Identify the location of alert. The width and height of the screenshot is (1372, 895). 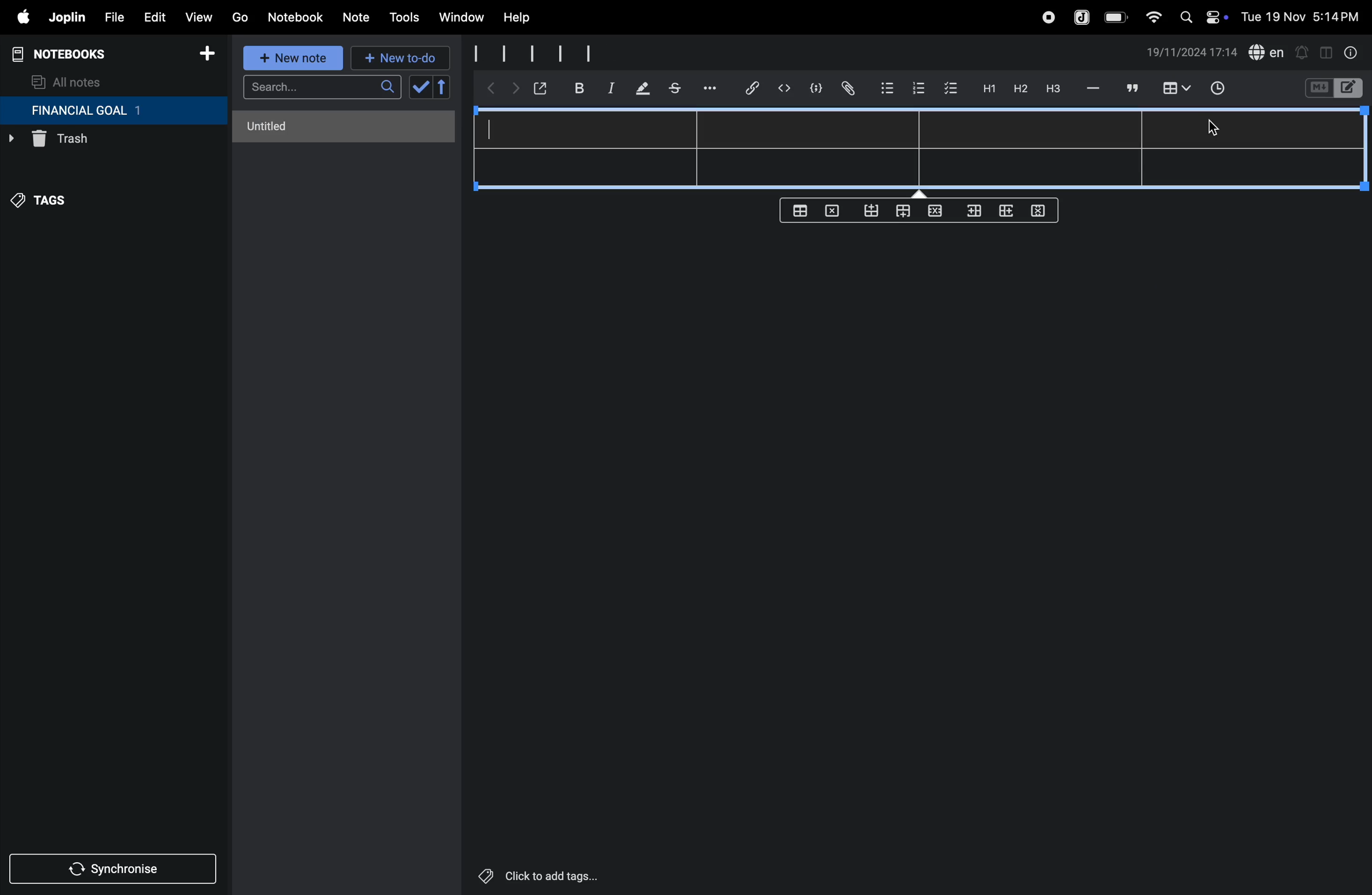
(1301, 52).